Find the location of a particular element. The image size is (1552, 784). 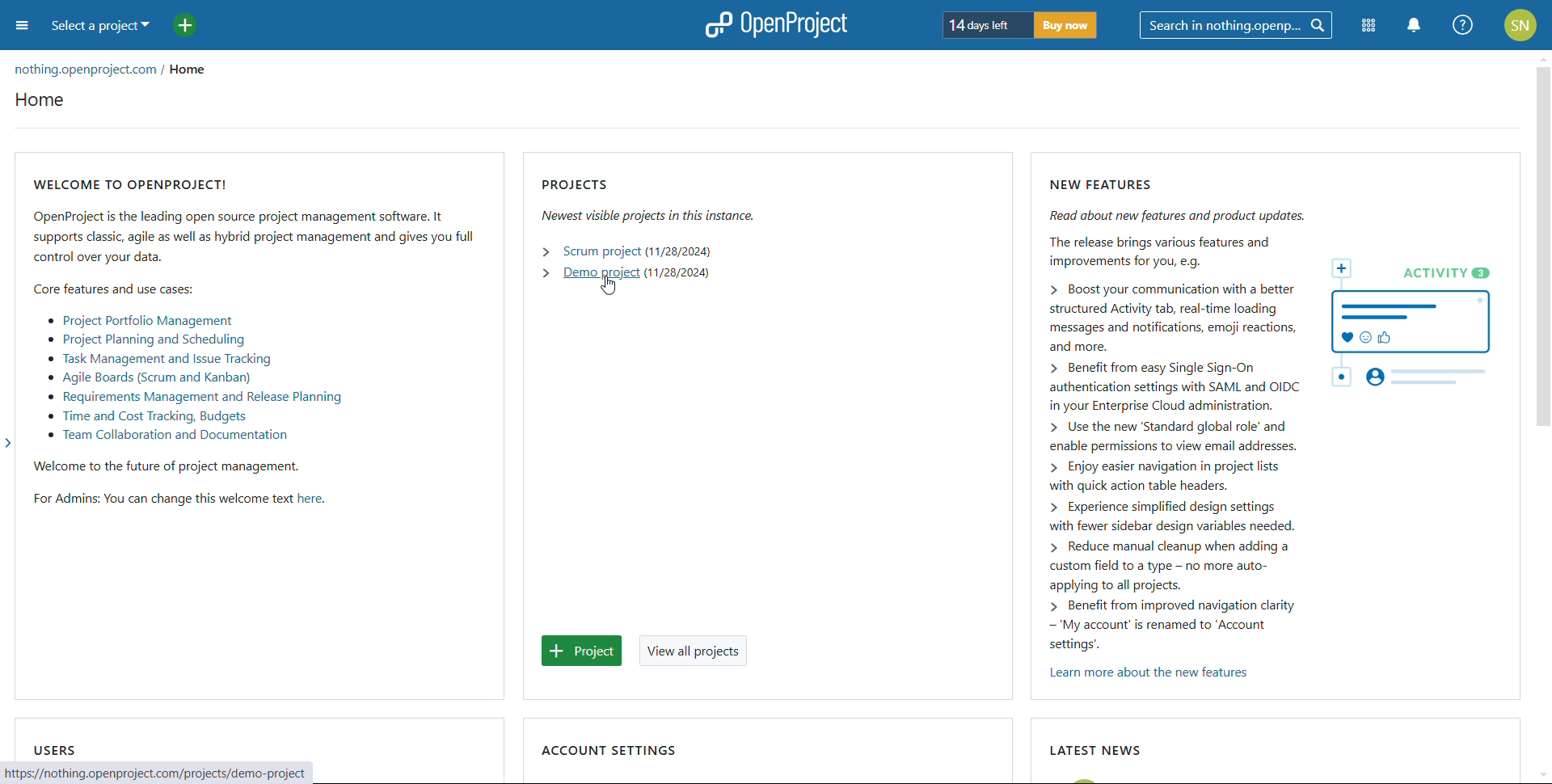

scroll down is located at coordinates (1542, 774).